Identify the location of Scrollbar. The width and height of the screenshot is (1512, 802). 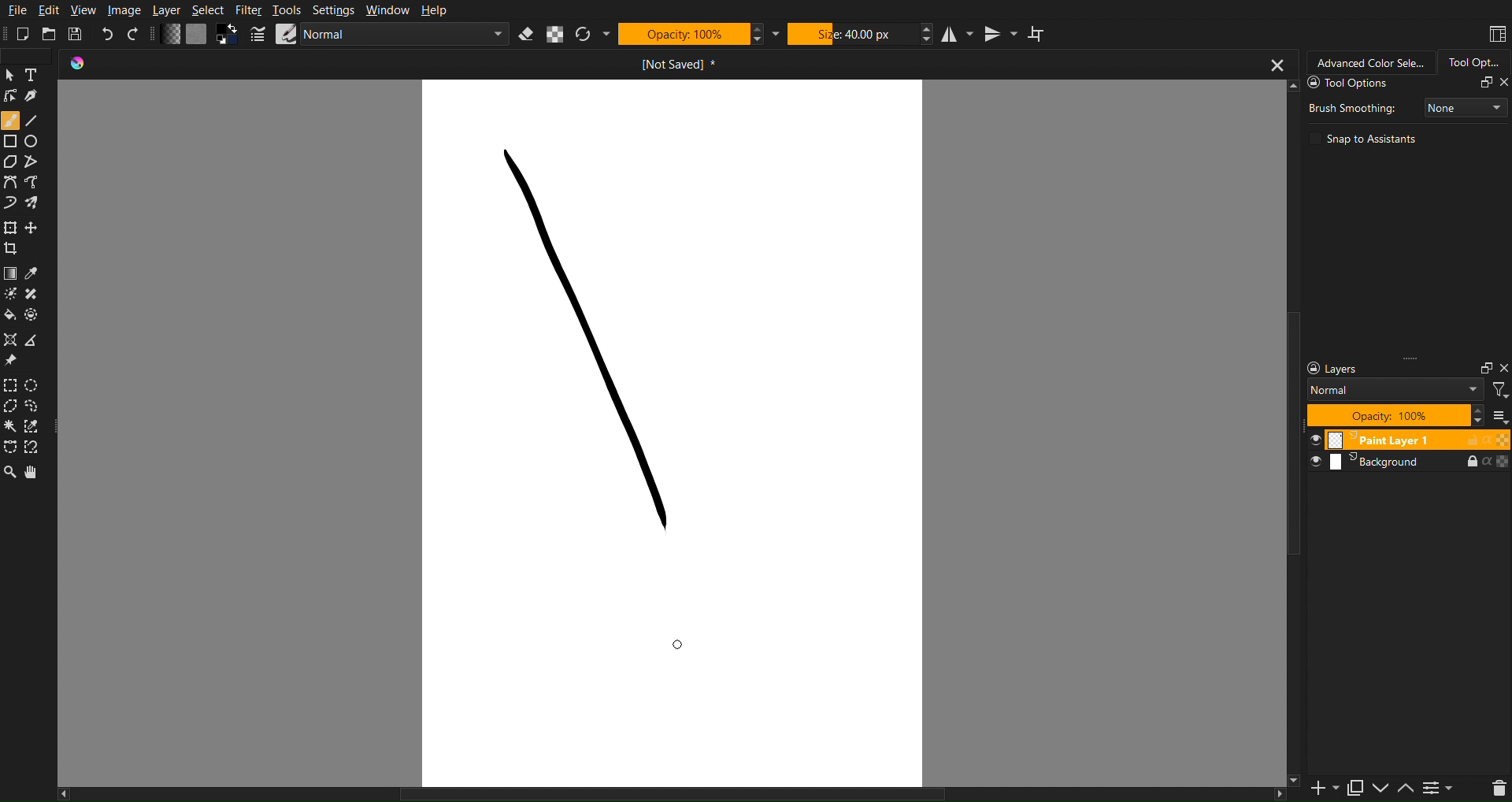
(1289, 434).